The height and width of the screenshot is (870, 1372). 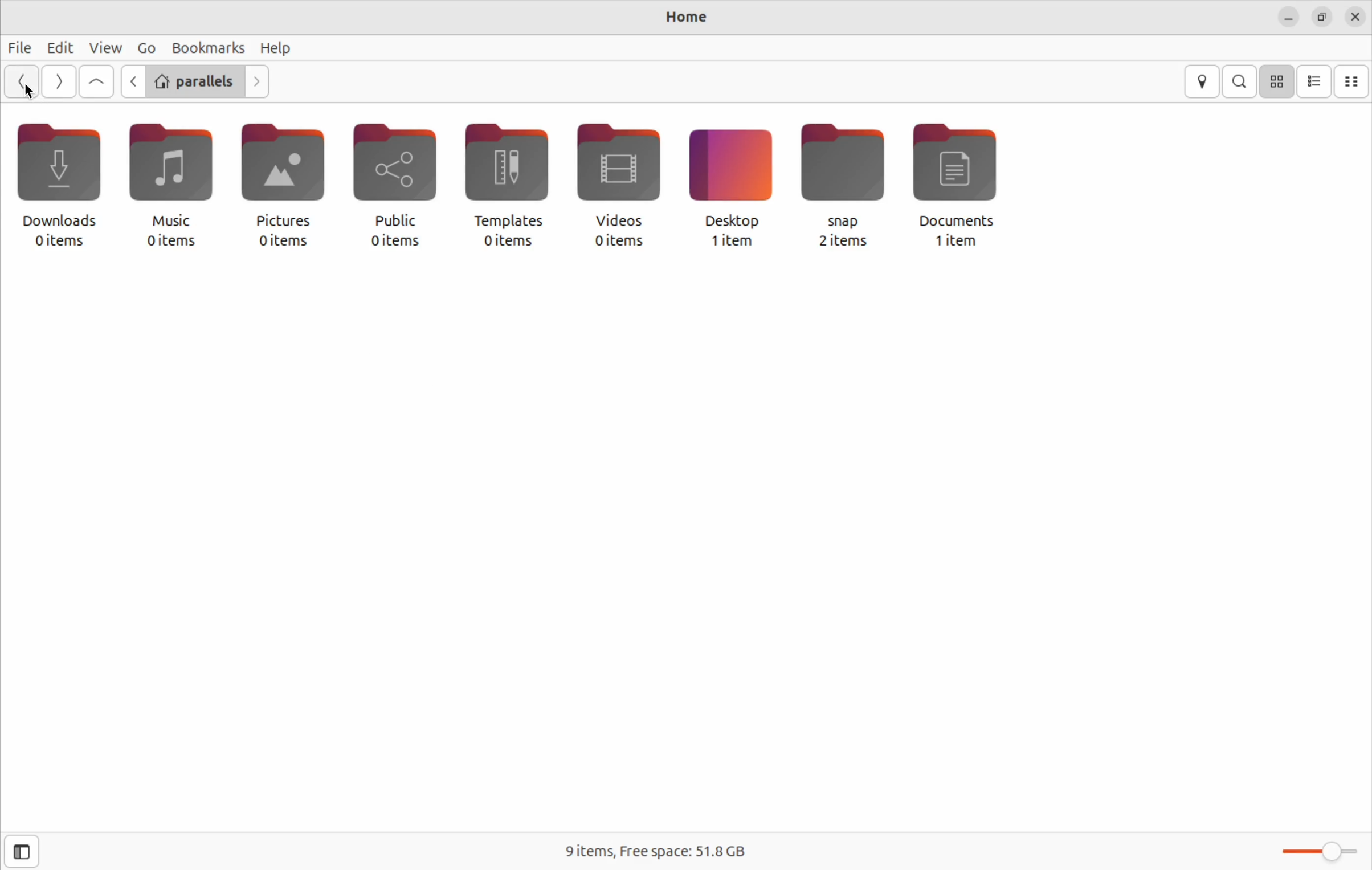 I want to click on music 0 items, so click(x=164, y=185).